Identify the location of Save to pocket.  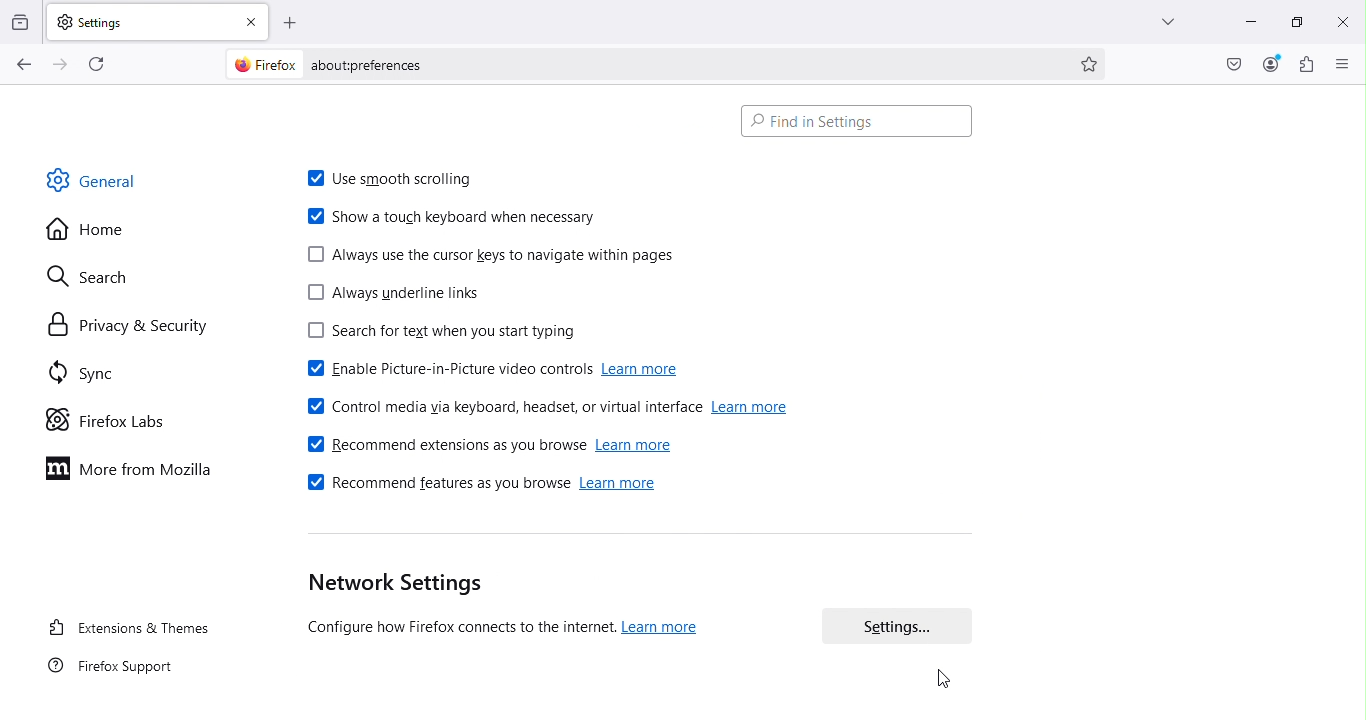
(1228, 63).